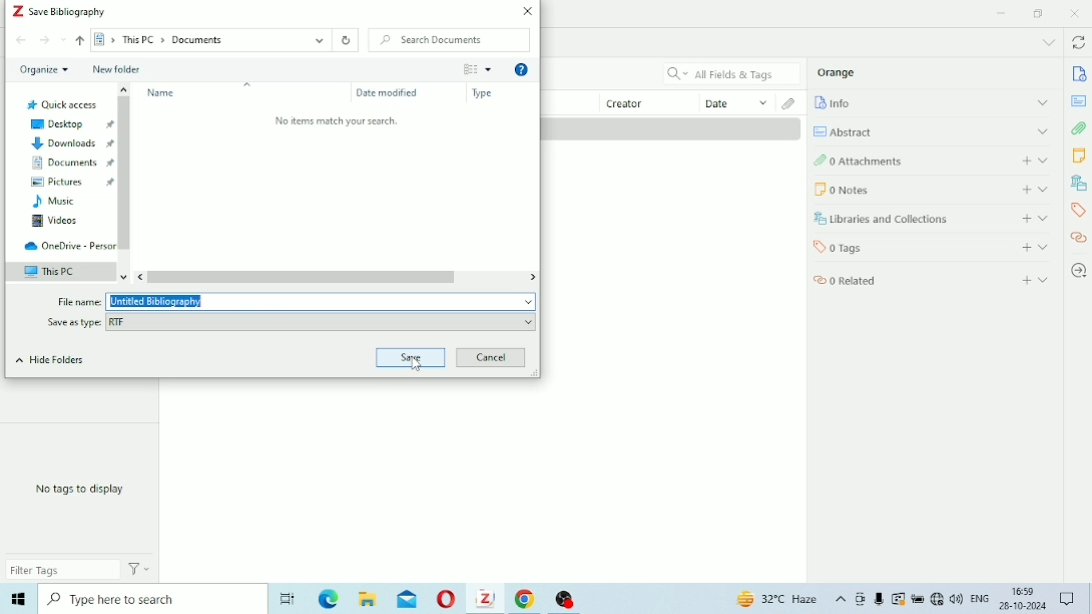  What do you see at coordinates (732, 74) in the screenshot?
I see `All Fields & Tags` at bounding box center [732, 74].